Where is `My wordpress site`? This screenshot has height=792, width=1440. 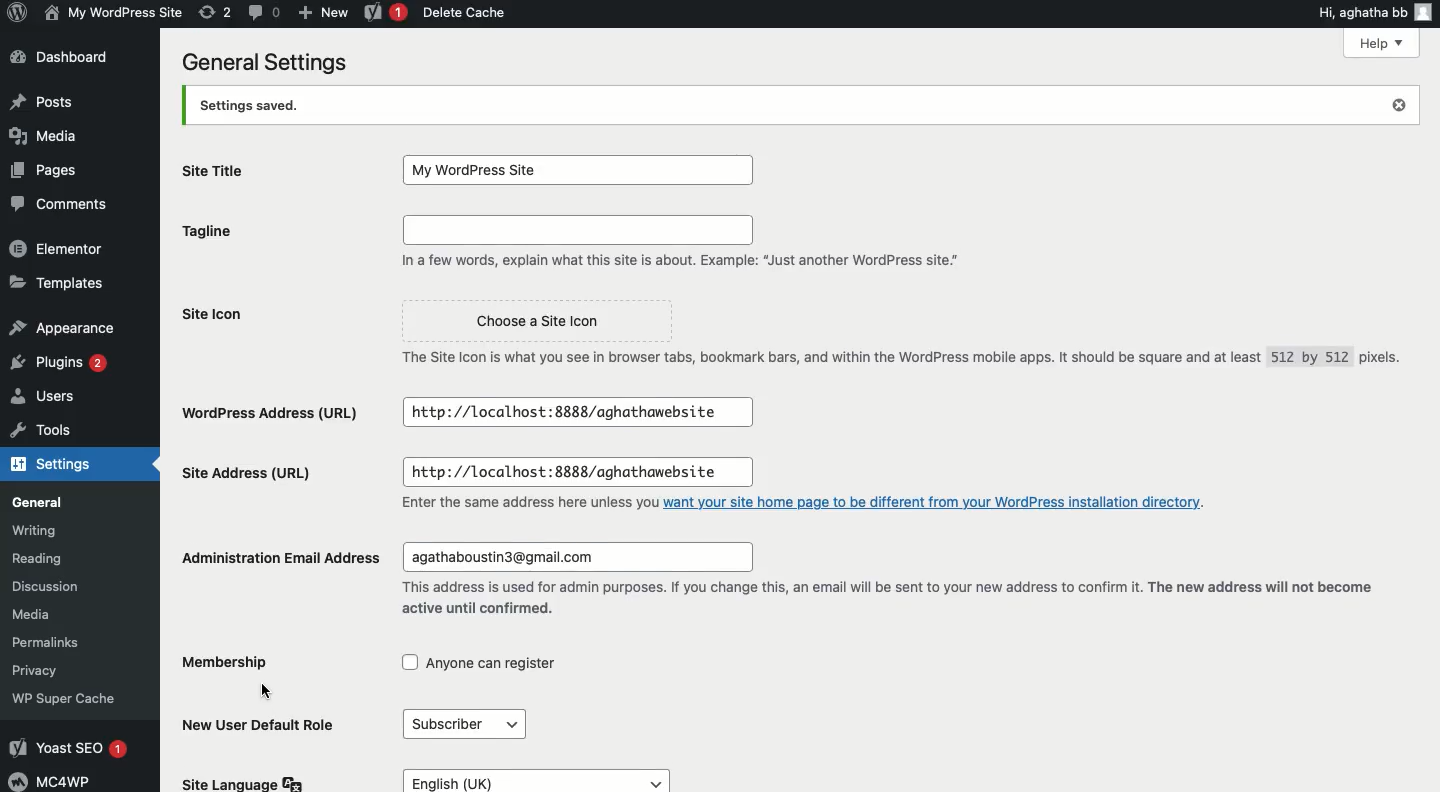 My wordpress site is located at coordinates (111, 14).